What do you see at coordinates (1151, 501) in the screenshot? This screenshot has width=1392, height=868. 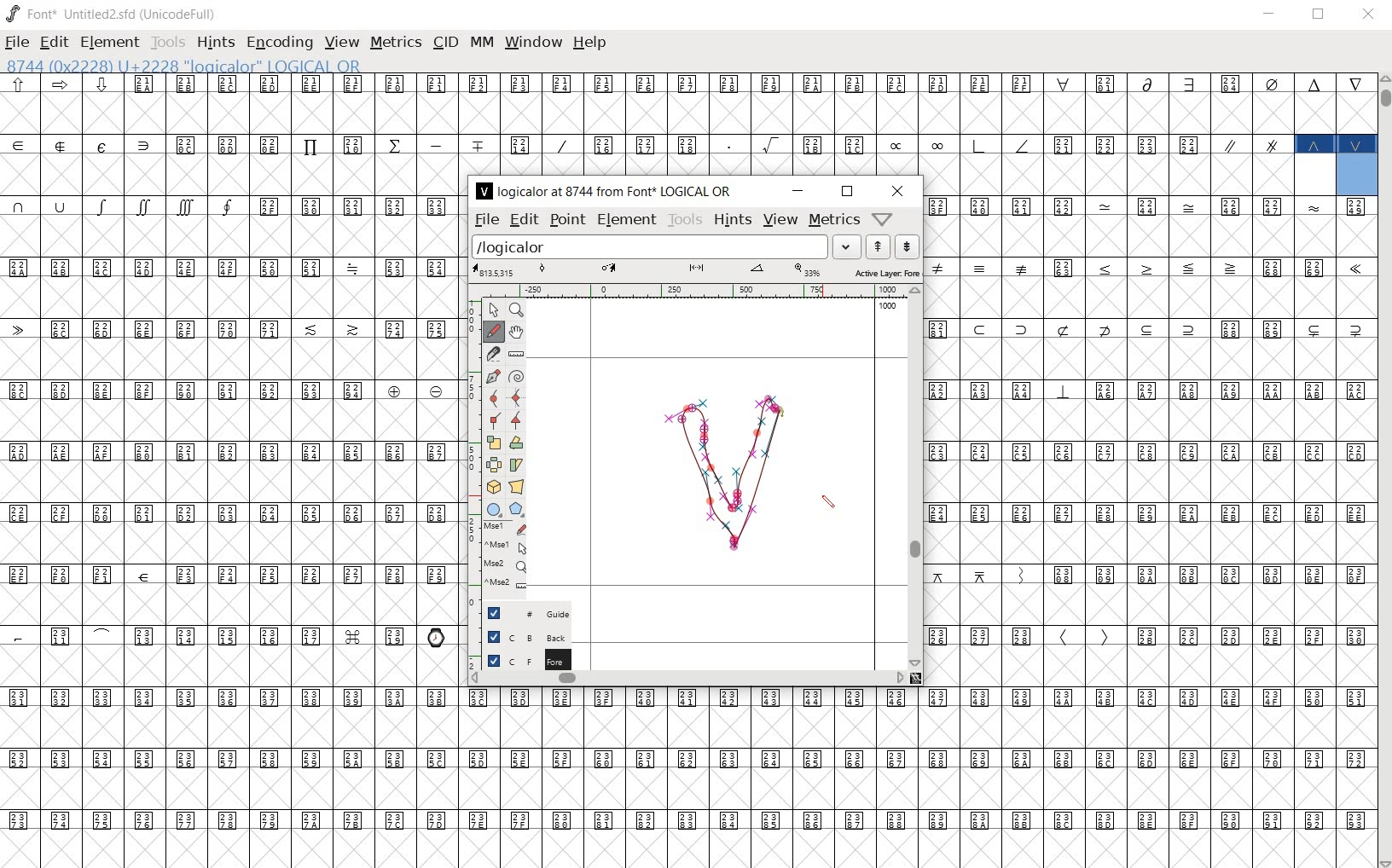 I see `glyph characters` at bounding box center [1151, 501].